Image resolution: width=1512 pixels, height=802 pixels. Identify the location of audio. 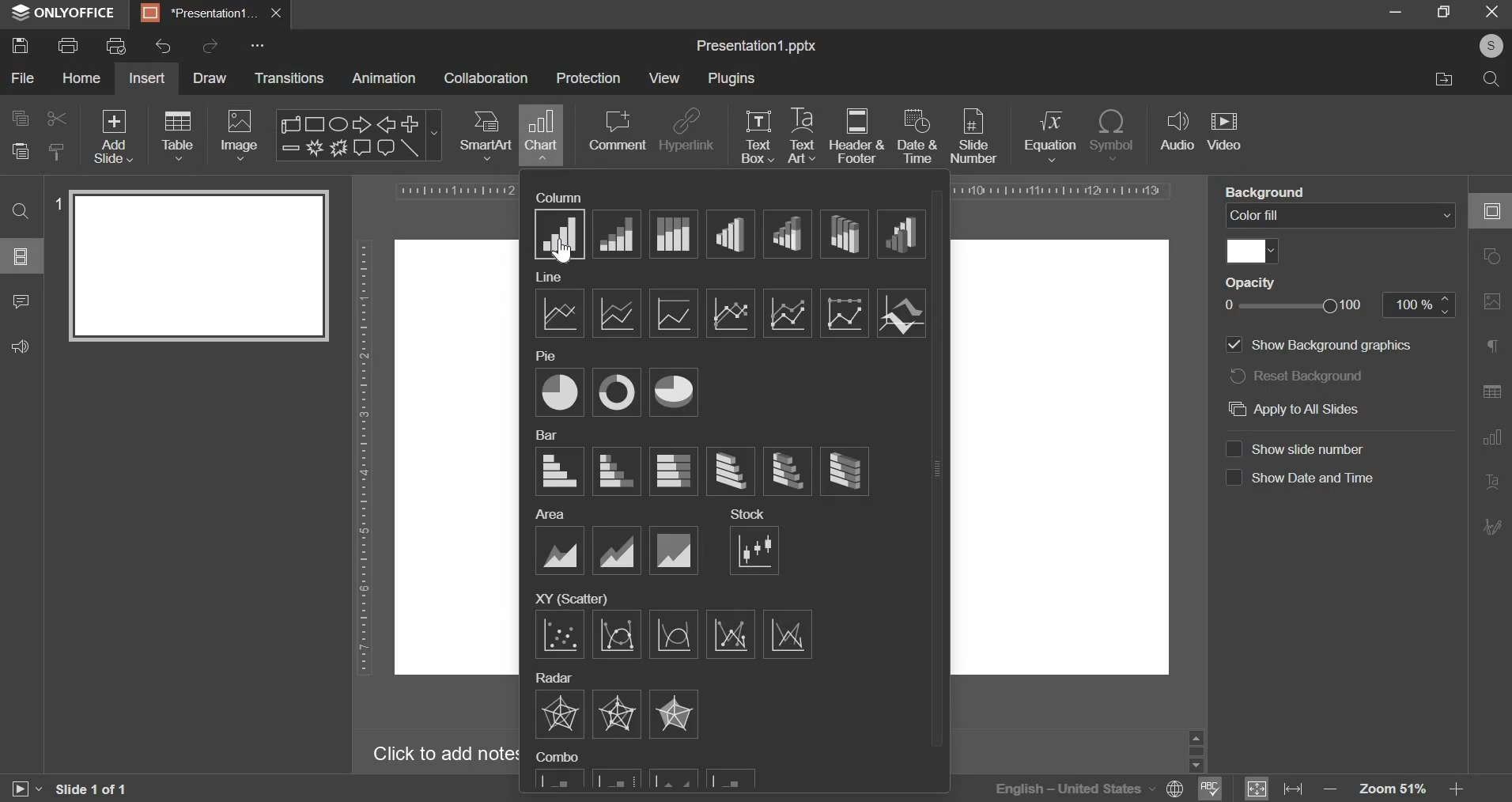
(1177, 133).